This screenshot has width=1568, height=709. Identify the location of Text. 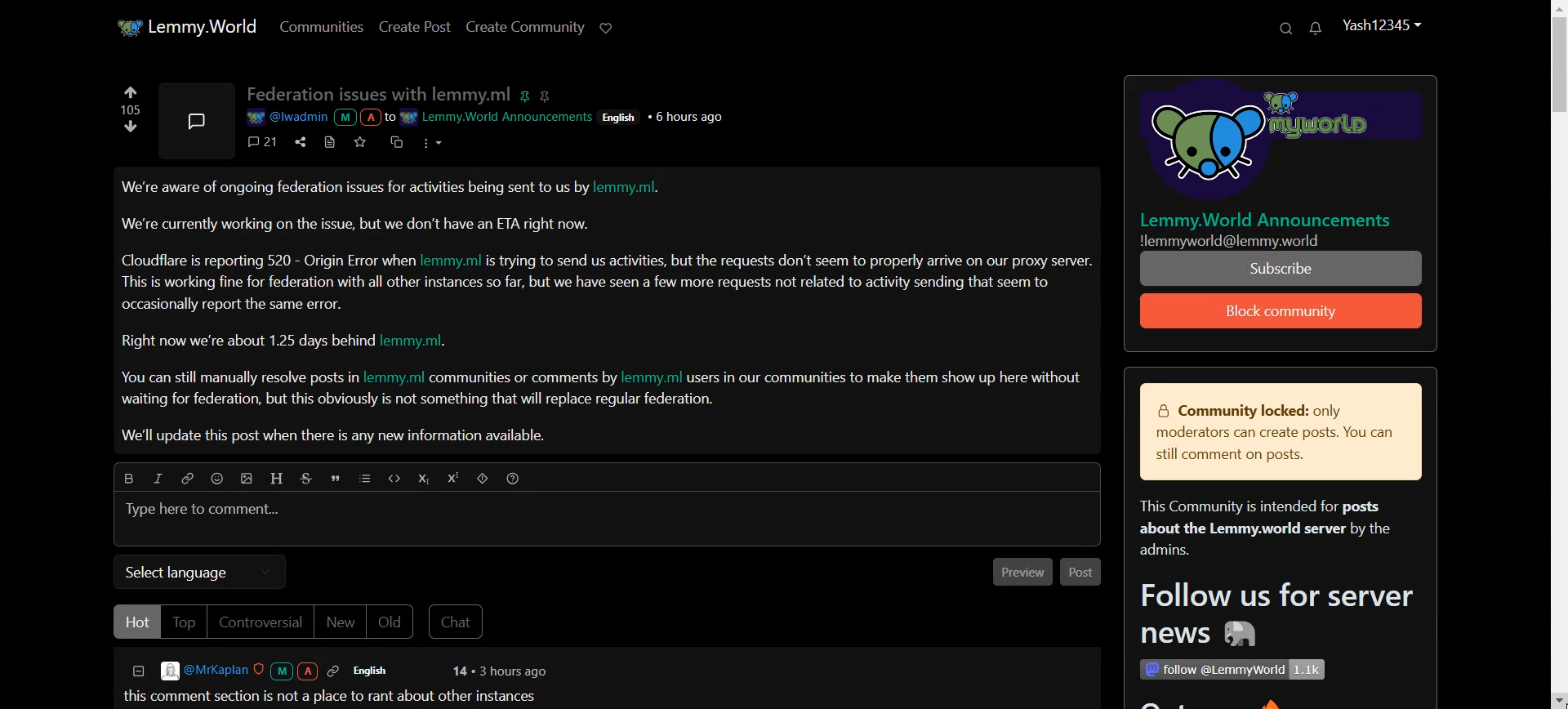
(1277, 509).